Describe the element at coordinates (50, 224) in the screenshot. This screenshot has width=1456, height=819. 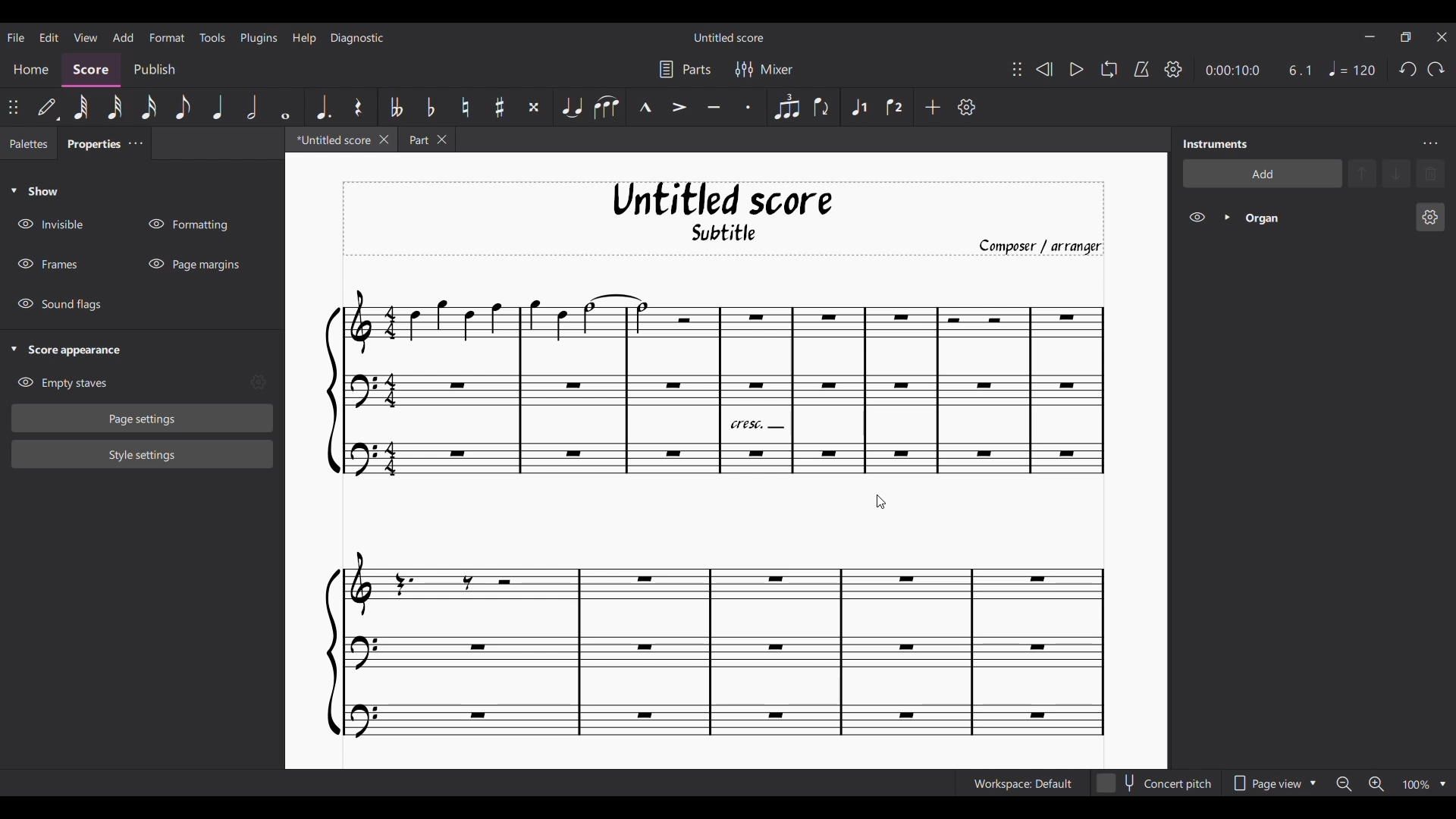
I see `Hide Invisible` at that location.